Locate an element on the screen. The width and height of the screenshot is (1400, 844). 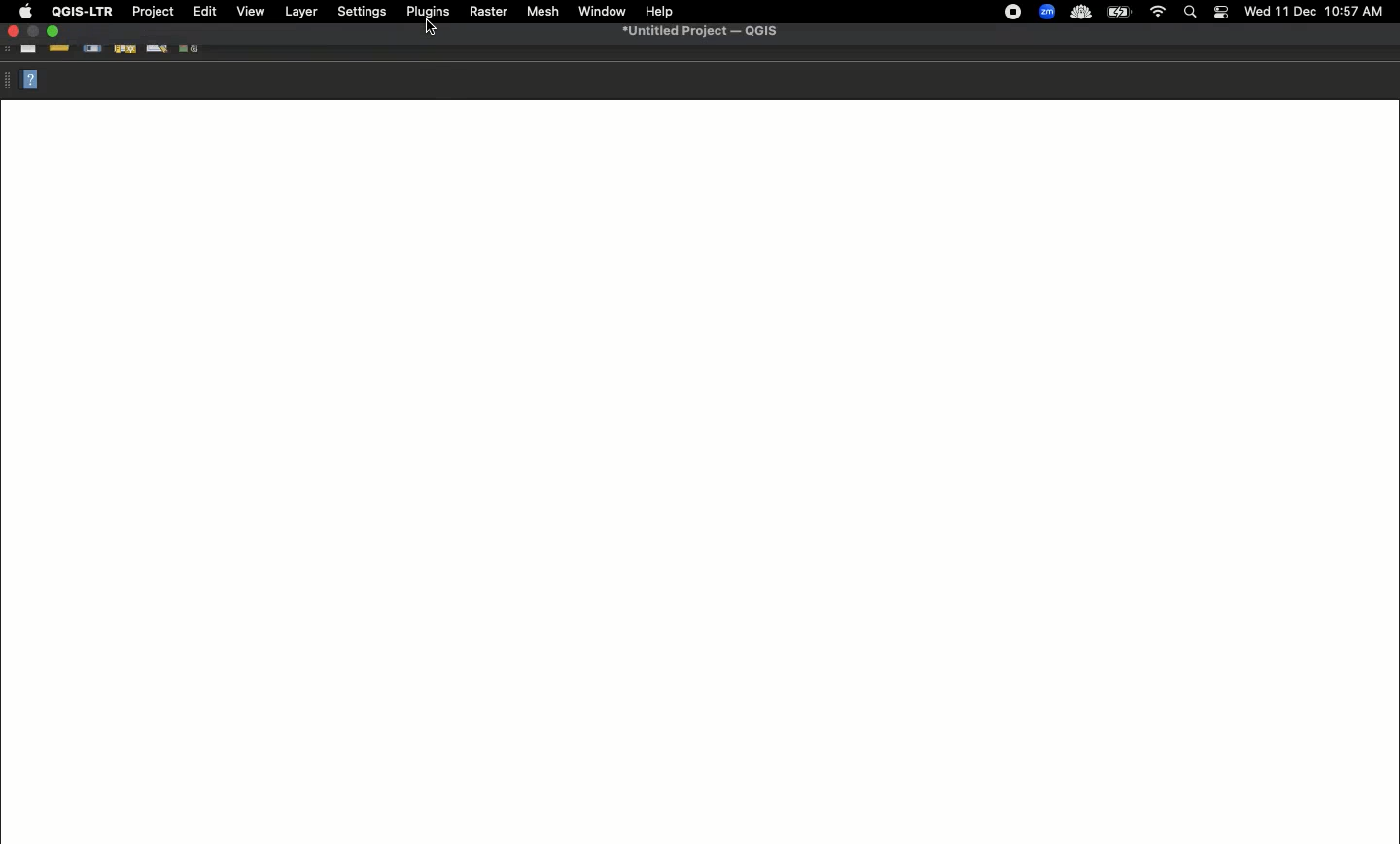
Mesh is located at coordinates (543, 13).